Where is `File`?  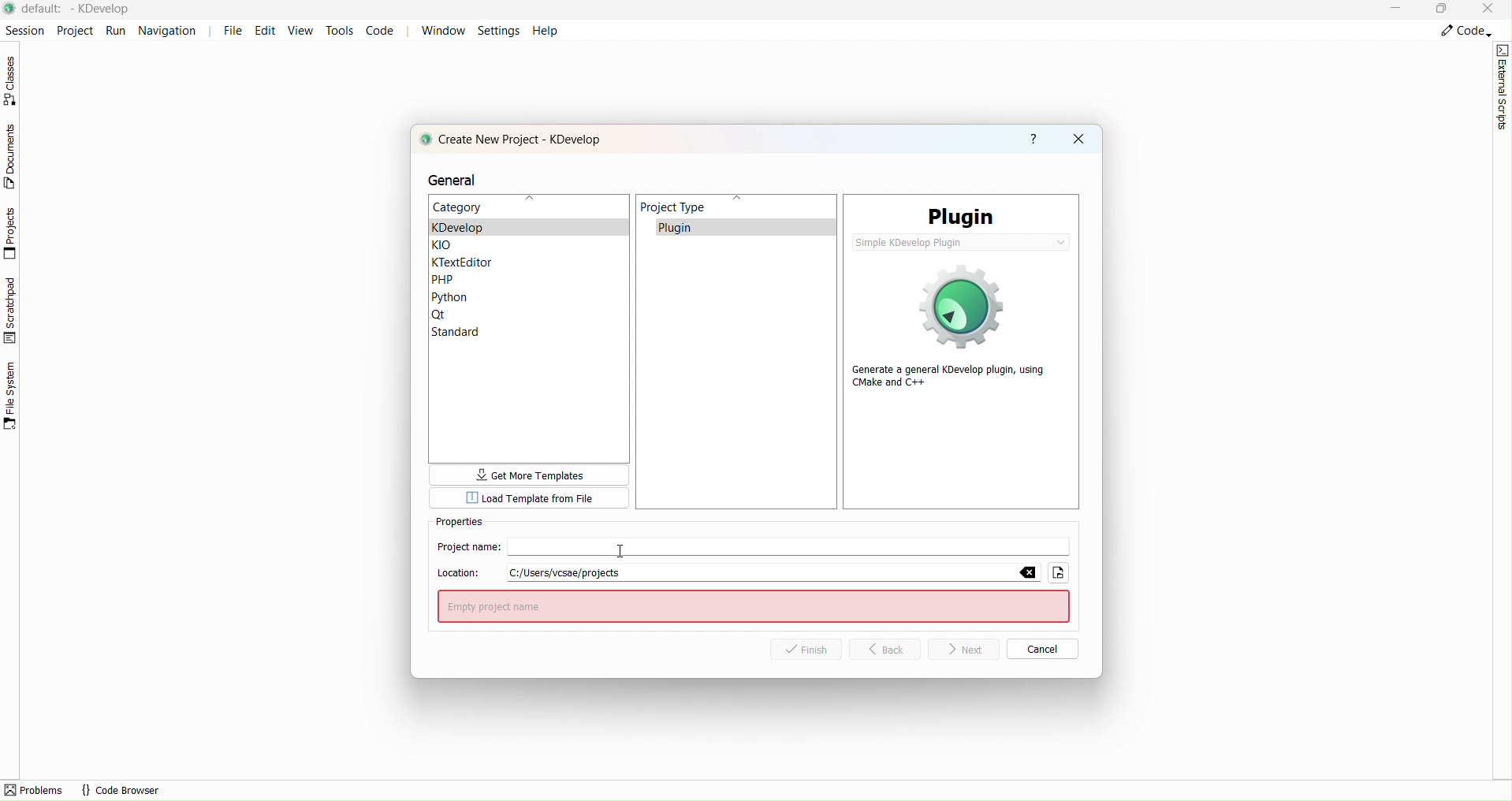 File is located at coordinates (233, 31).